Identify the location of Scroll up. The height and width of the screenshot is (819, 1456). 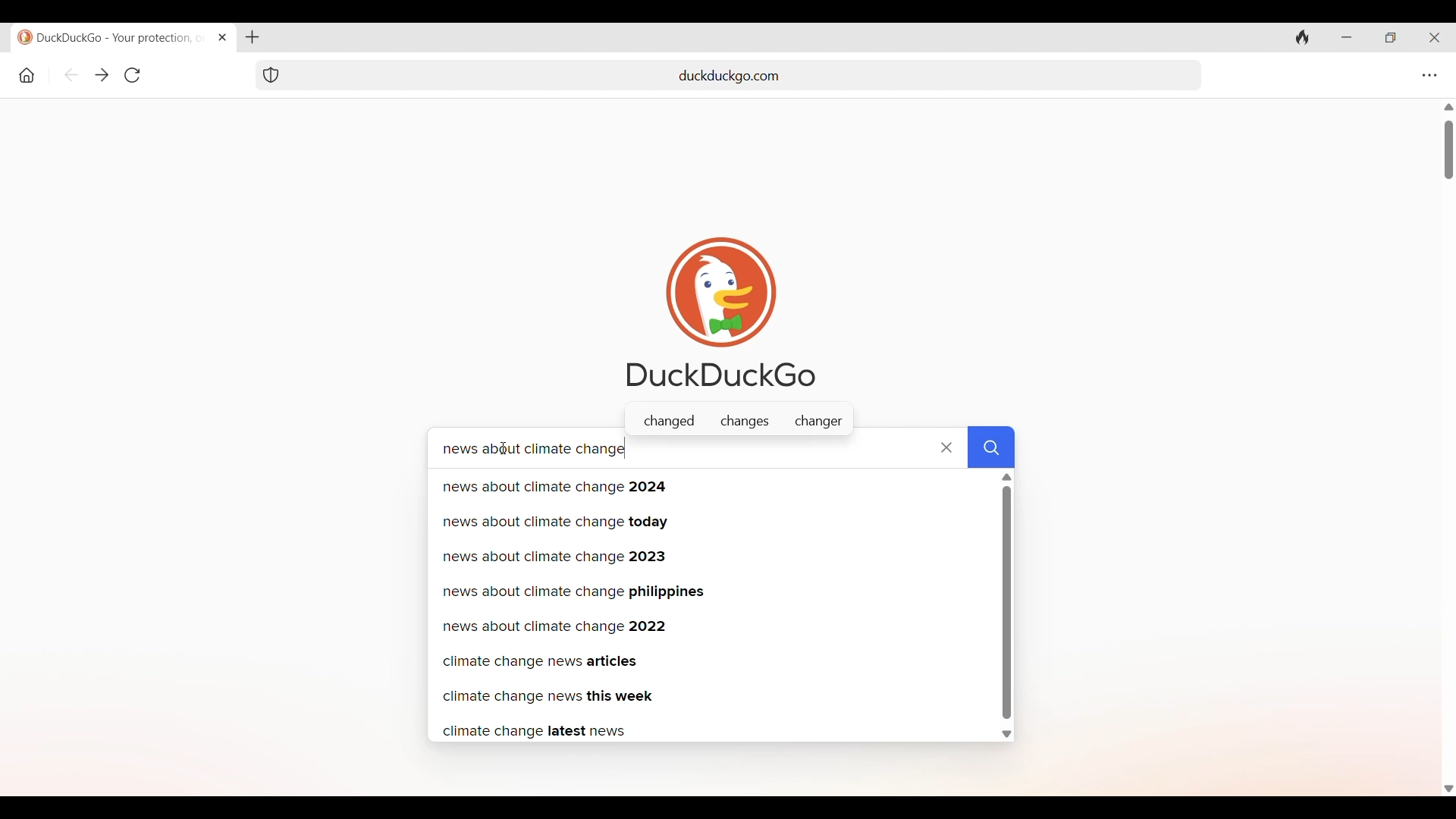
(1447, 106).